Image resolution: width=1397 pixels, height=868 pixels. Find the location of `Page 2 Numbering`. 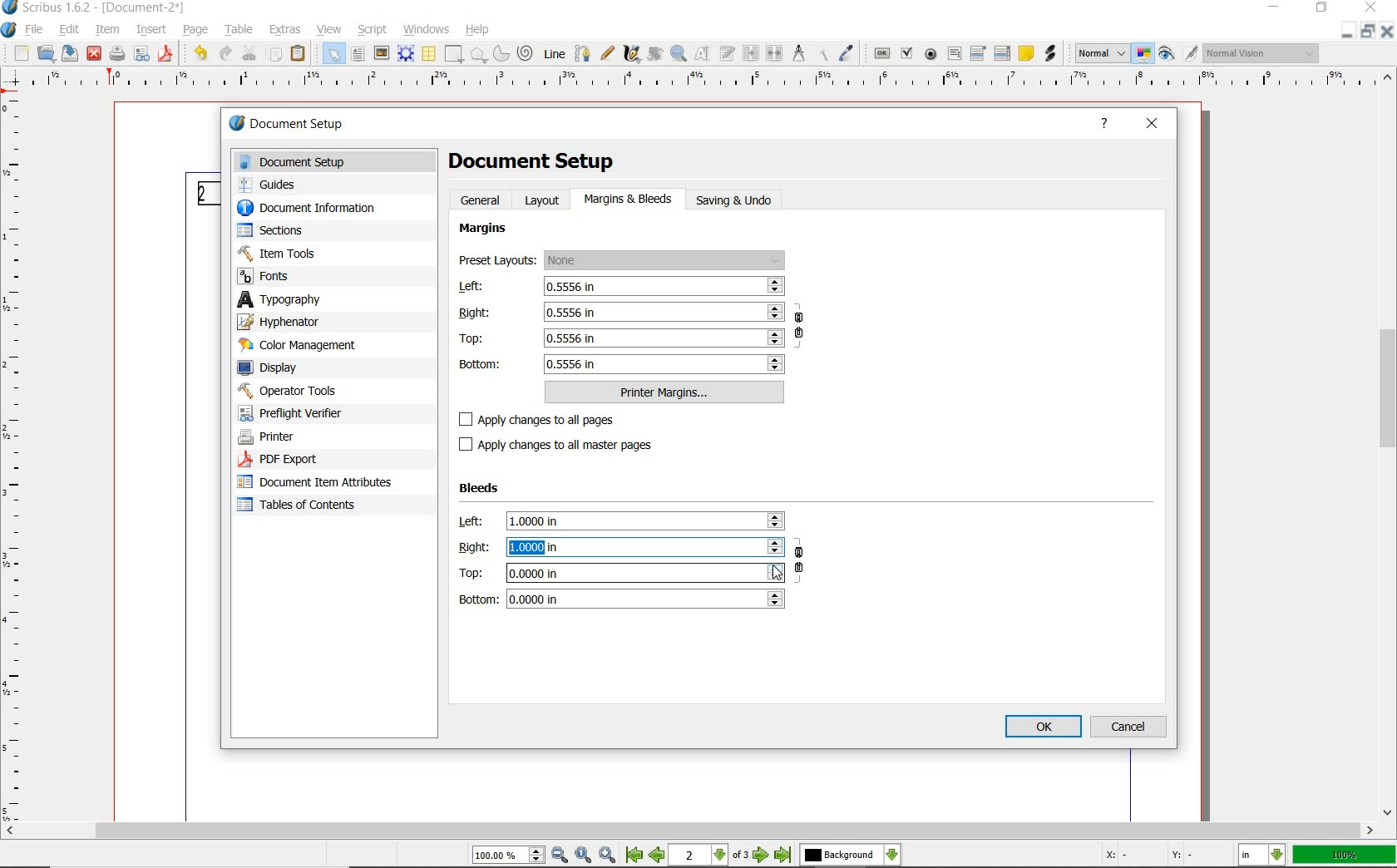

Page 2 Numbering is located at coordinates (206, 194).